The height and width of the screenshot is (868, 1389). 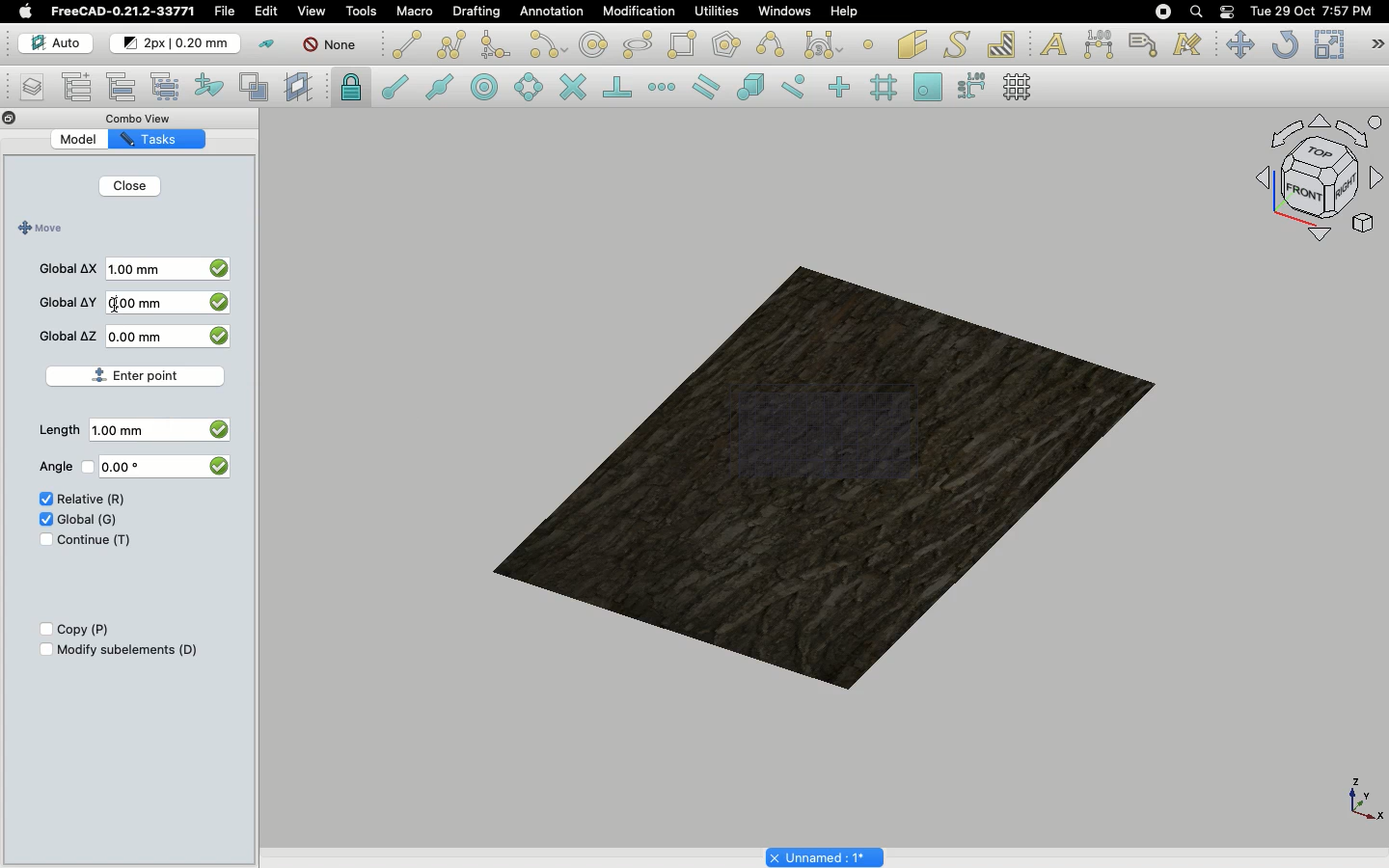 I want to click on Global X, so click(x=68, y=266).